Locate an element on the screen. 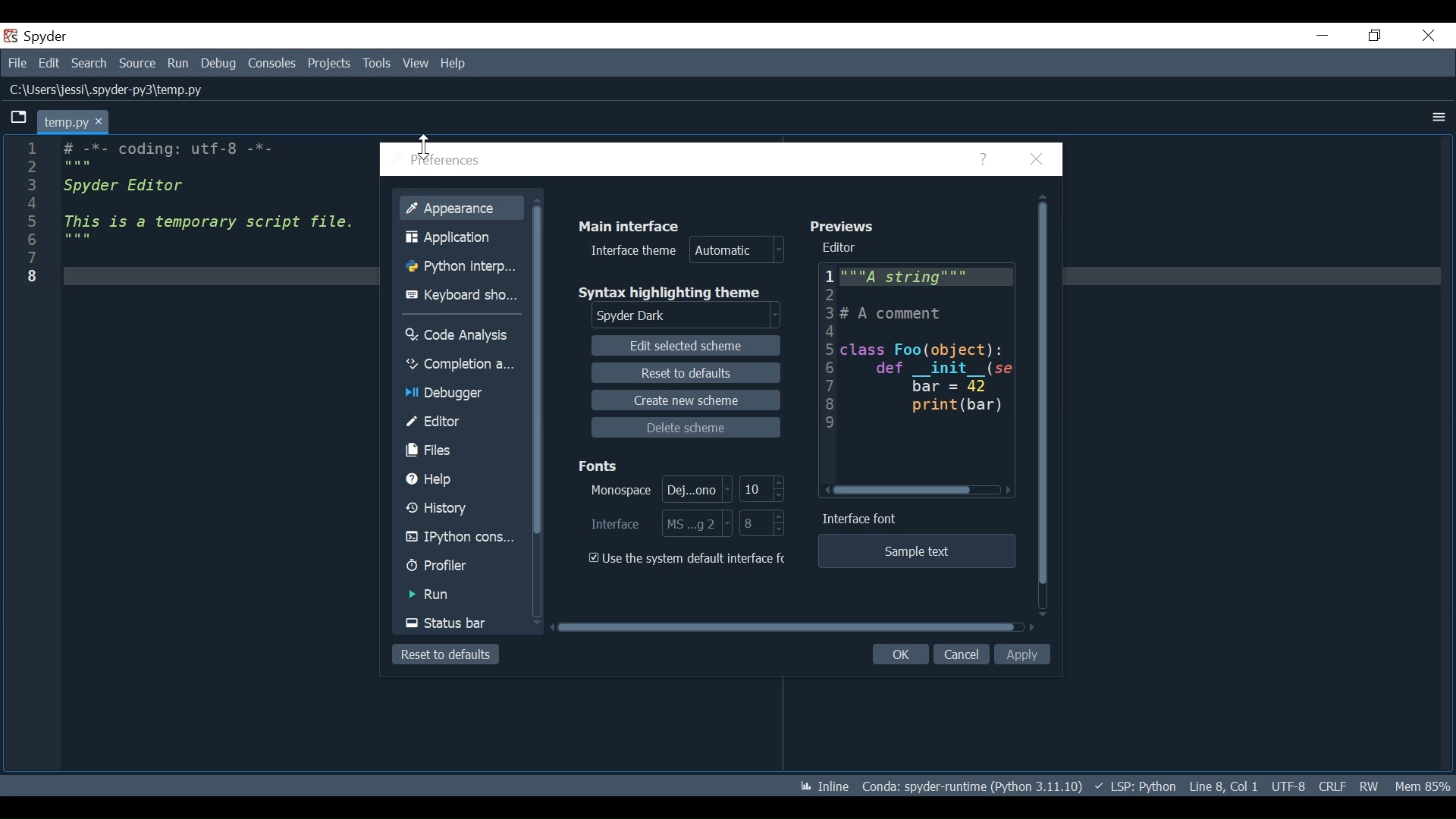 The height and width of the screenshot is (819, 1456). Current Tab is located at coordinates (72, 121).